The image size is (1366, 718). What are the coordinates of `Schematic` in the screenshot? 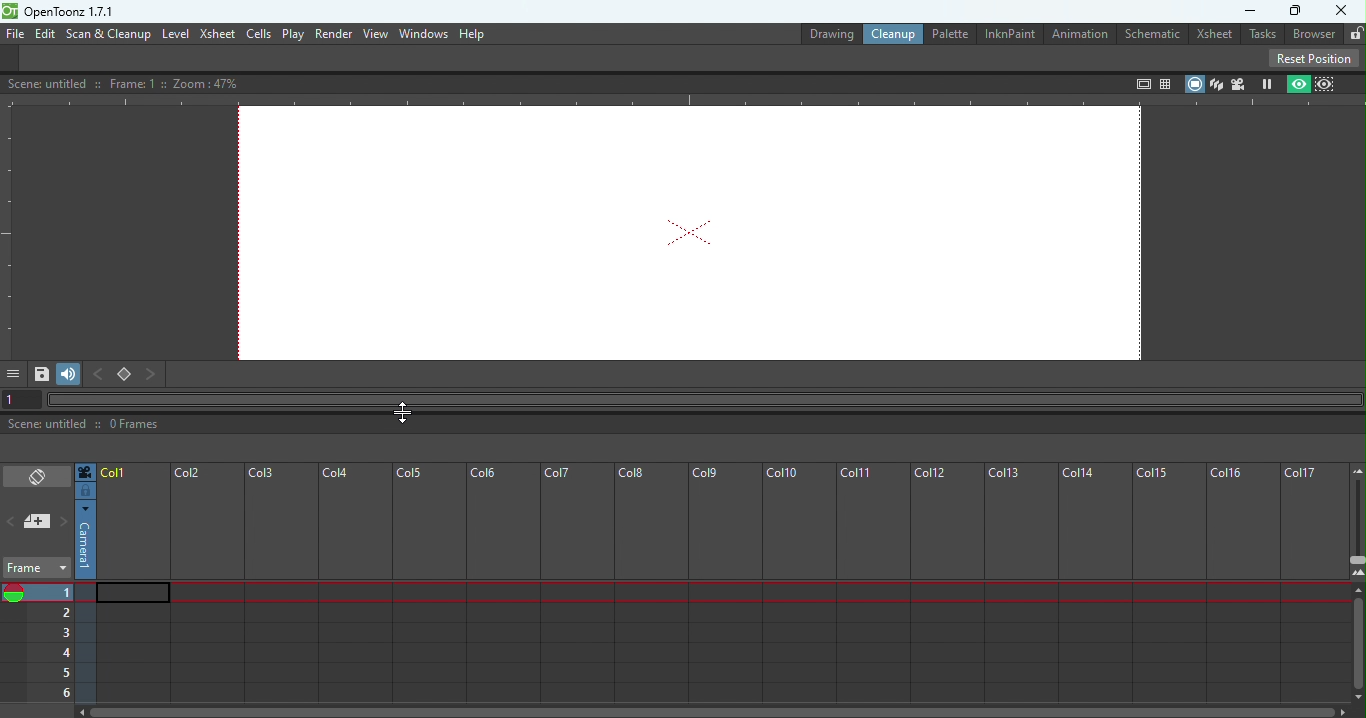 It's located at (1155, 32).